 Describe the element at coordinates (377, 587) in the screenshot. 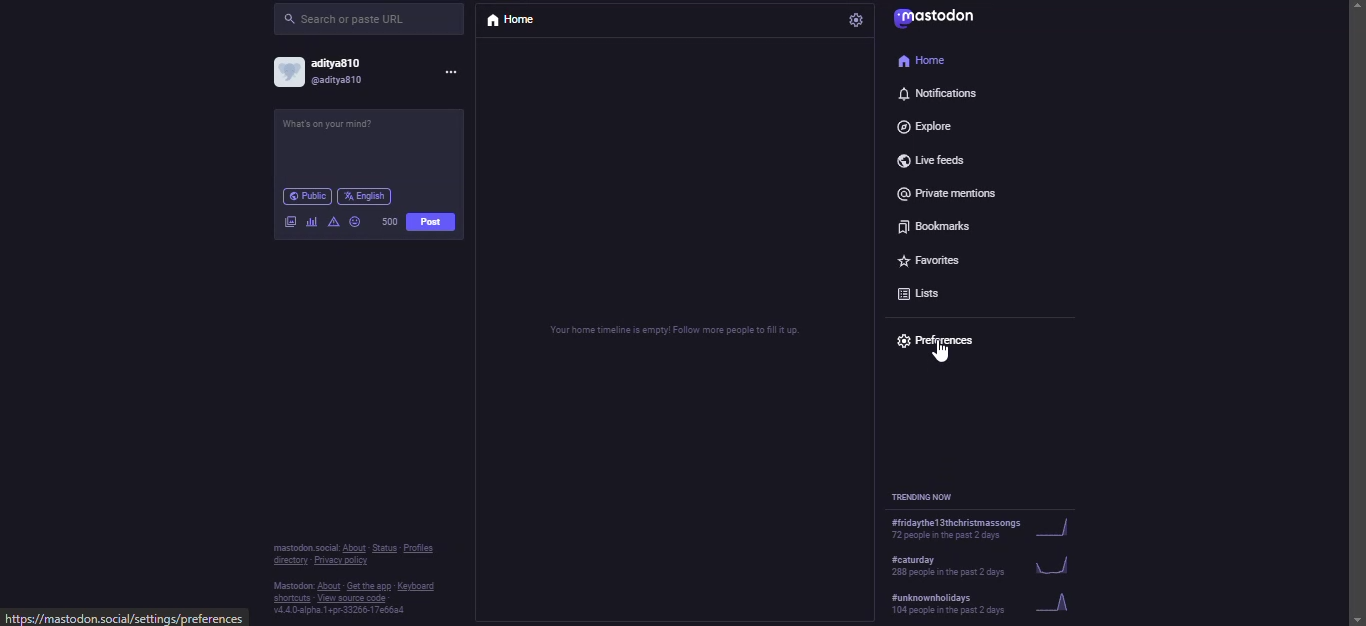

I see `About • Get the app • Keyboard` at that location.